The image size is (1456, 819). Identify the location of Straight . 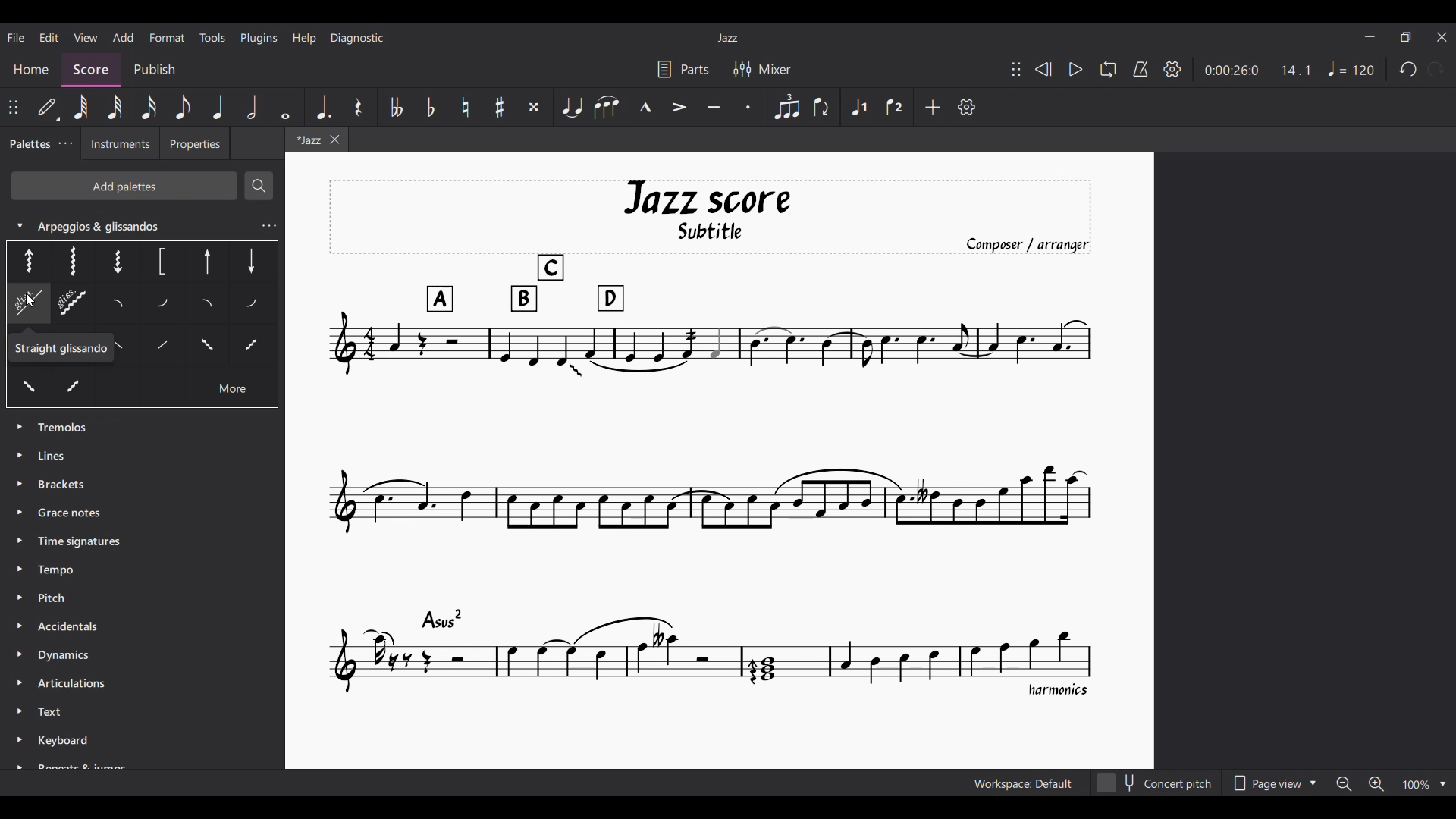
(56, 350).